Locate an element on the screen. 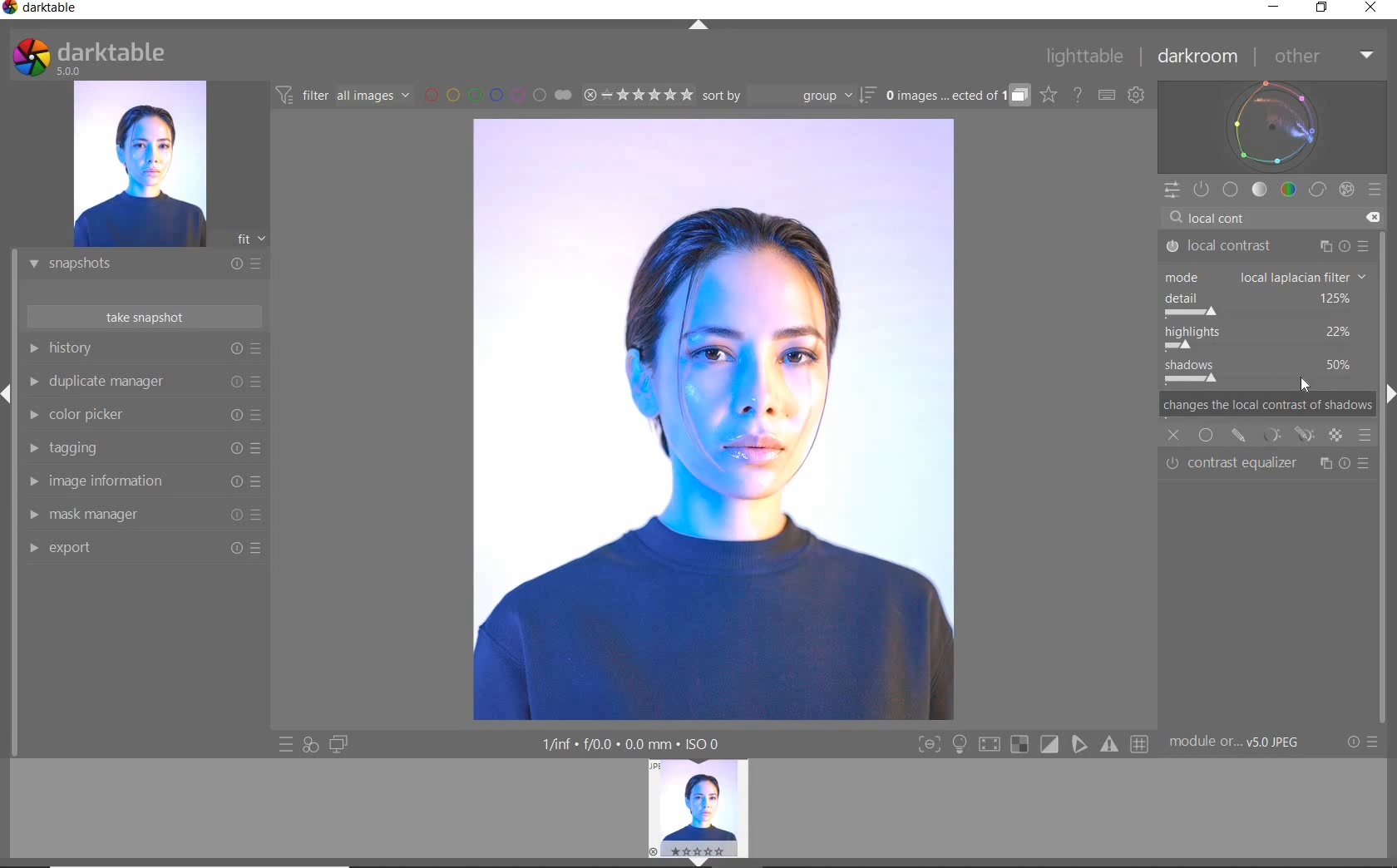 This screenshot has width=1397, height=868. DISPLAYED GUI INFO is located at coordinates (628, 744).